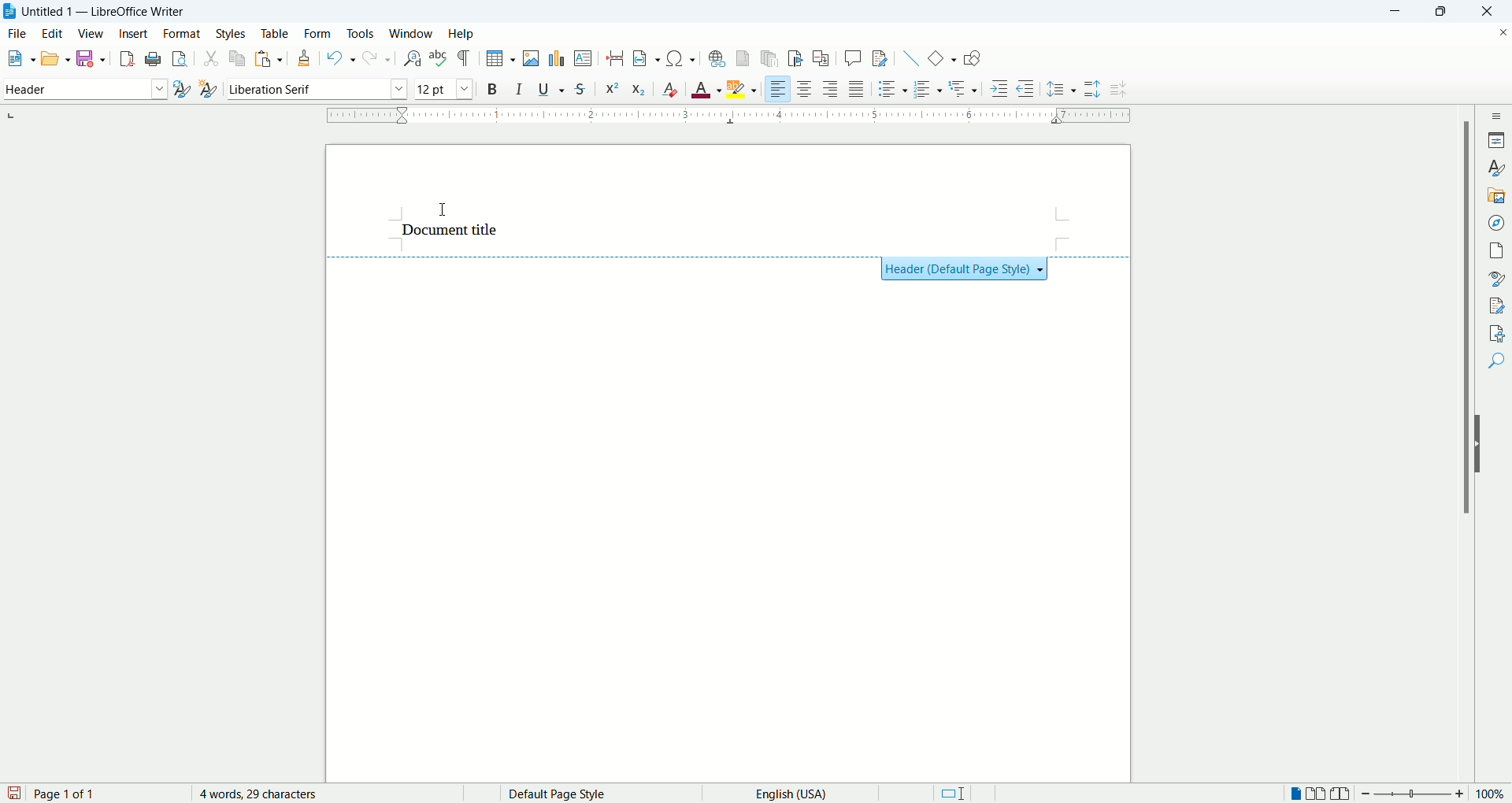  Describe the element at coordinates (1414, 794) in the screenshot. I see `zoom bar` at that location.